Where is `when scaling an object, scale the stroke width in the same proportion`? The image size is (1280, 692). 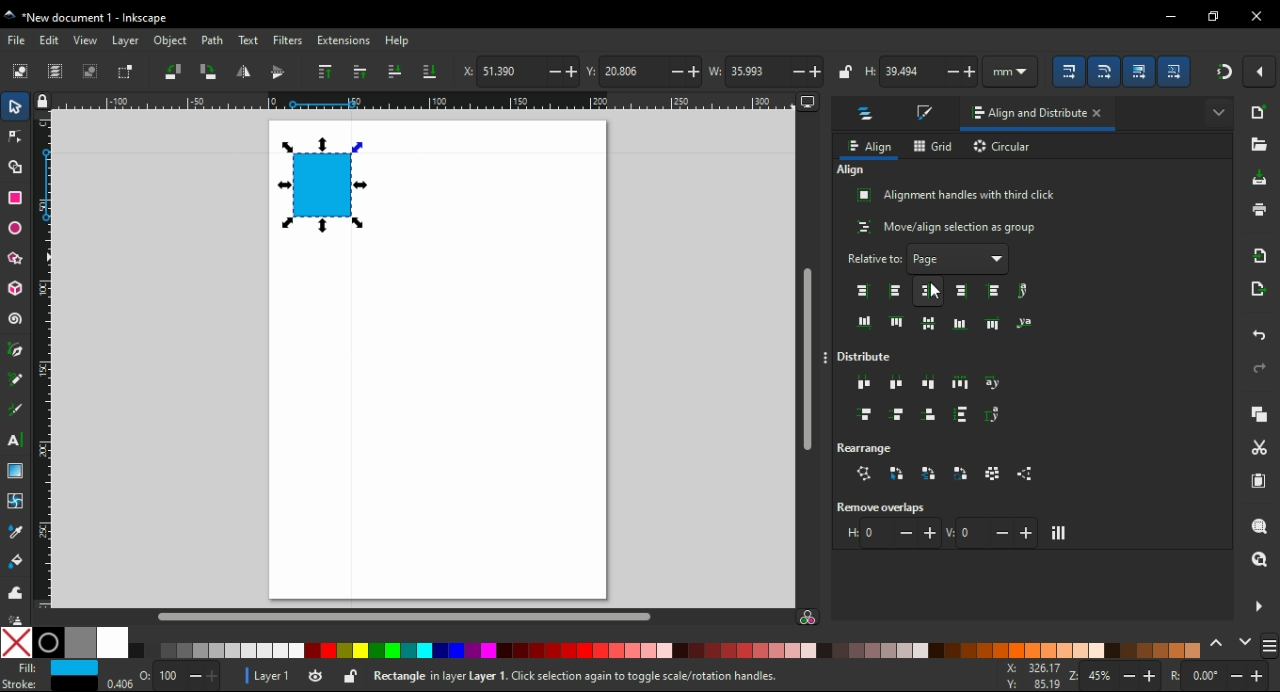
when scaling an object, scale the stroke width in the same proportion is located at coordinates (1072, 71).